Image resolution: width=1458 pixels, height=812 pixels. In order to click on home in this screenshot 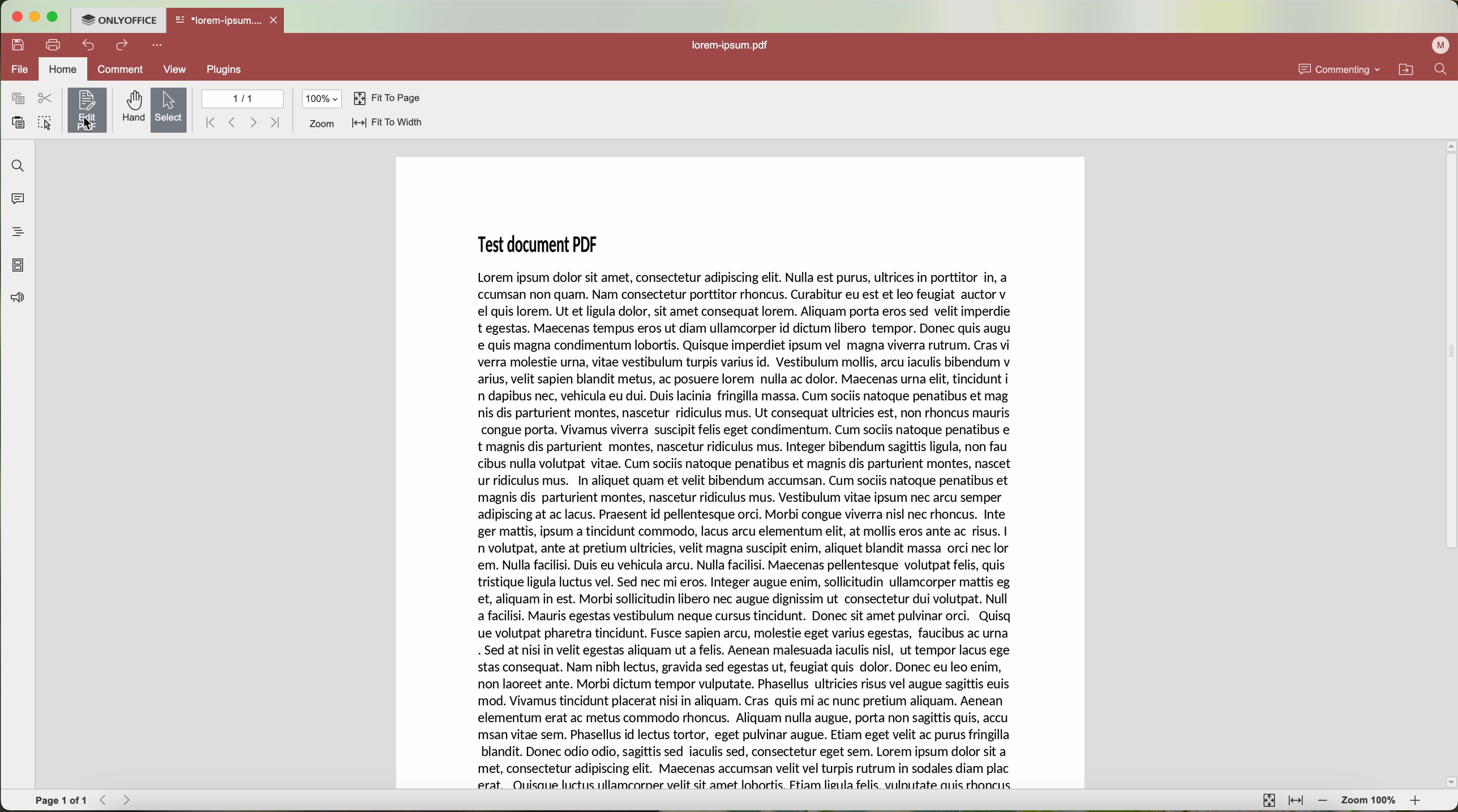, I will do `click(63, 68)`.